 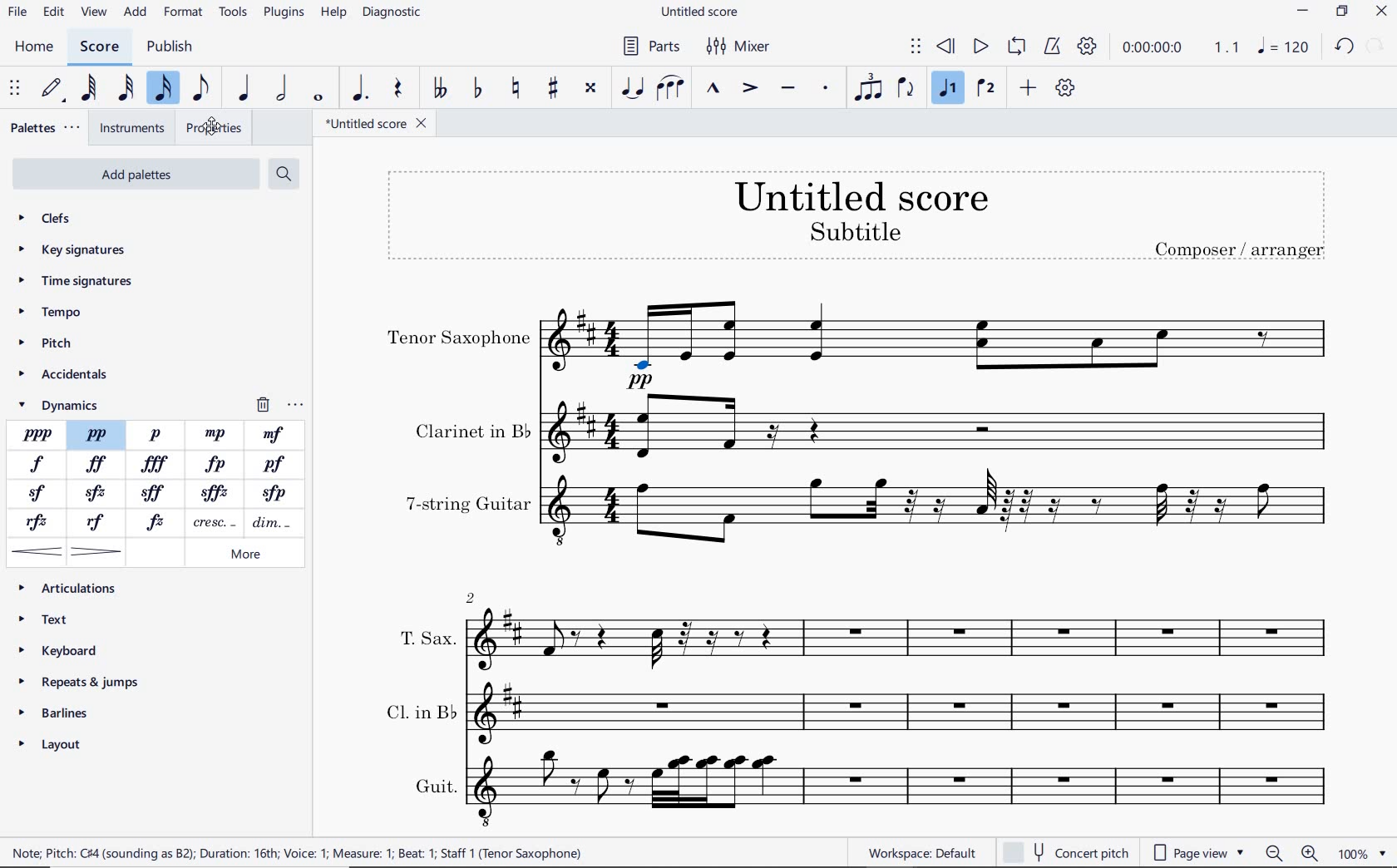 I want to click on rest, so click(x=400, y=89).